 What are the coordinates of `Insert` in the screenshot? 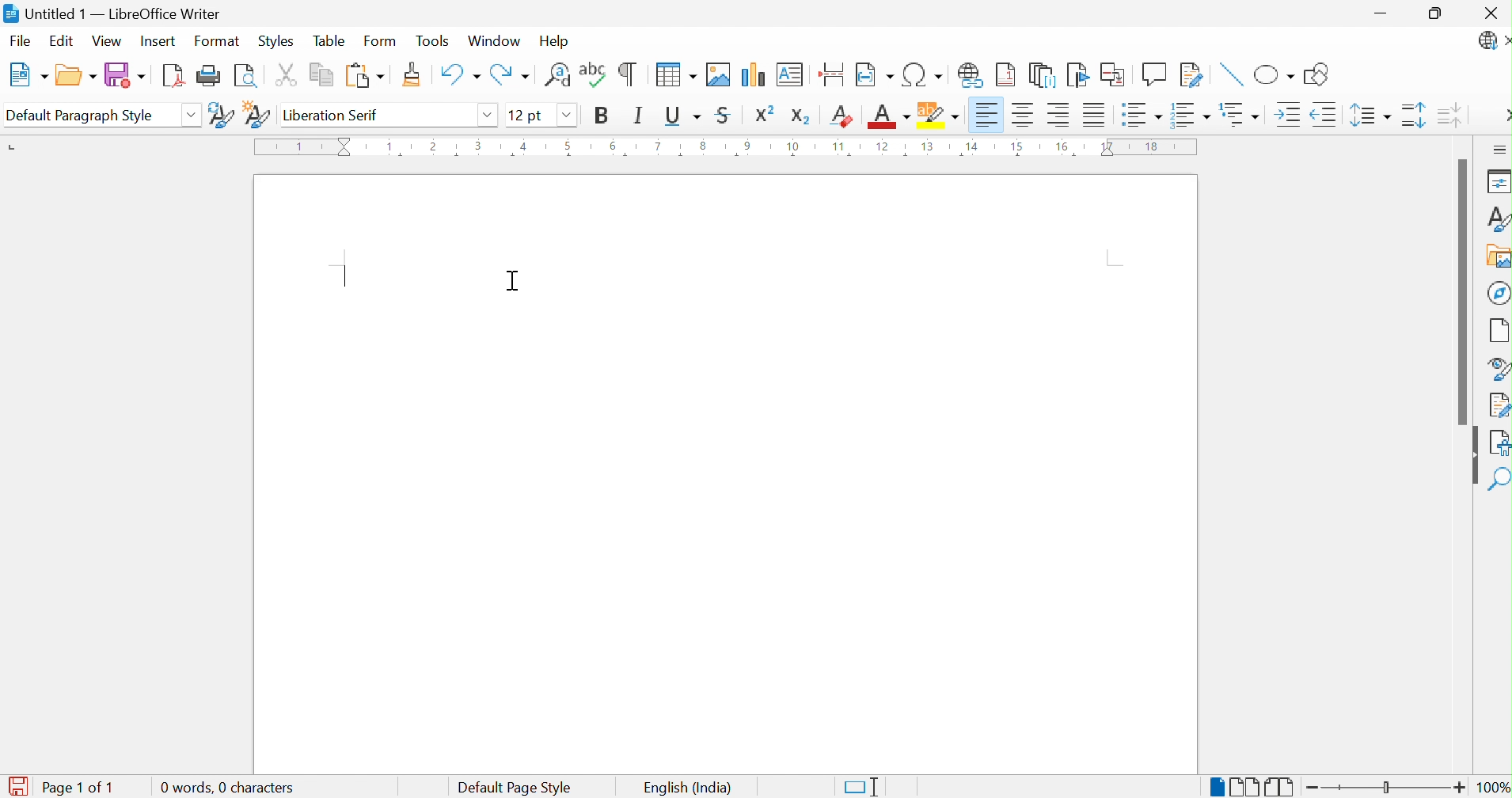 It's located at (160, 40).